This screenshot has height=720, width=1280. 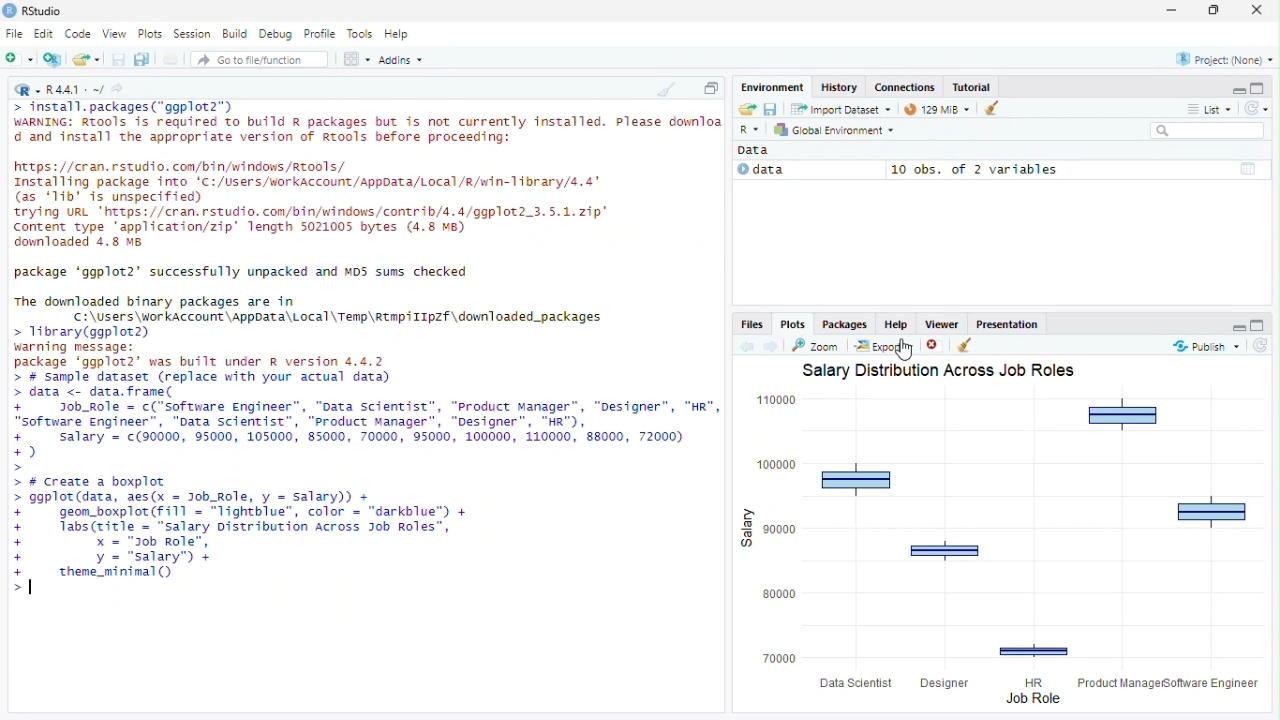 What do you see at coordinates (937, 109) in the screenshot?
I see `current memory usage - 129MiB` at bounding box center [937, 109].